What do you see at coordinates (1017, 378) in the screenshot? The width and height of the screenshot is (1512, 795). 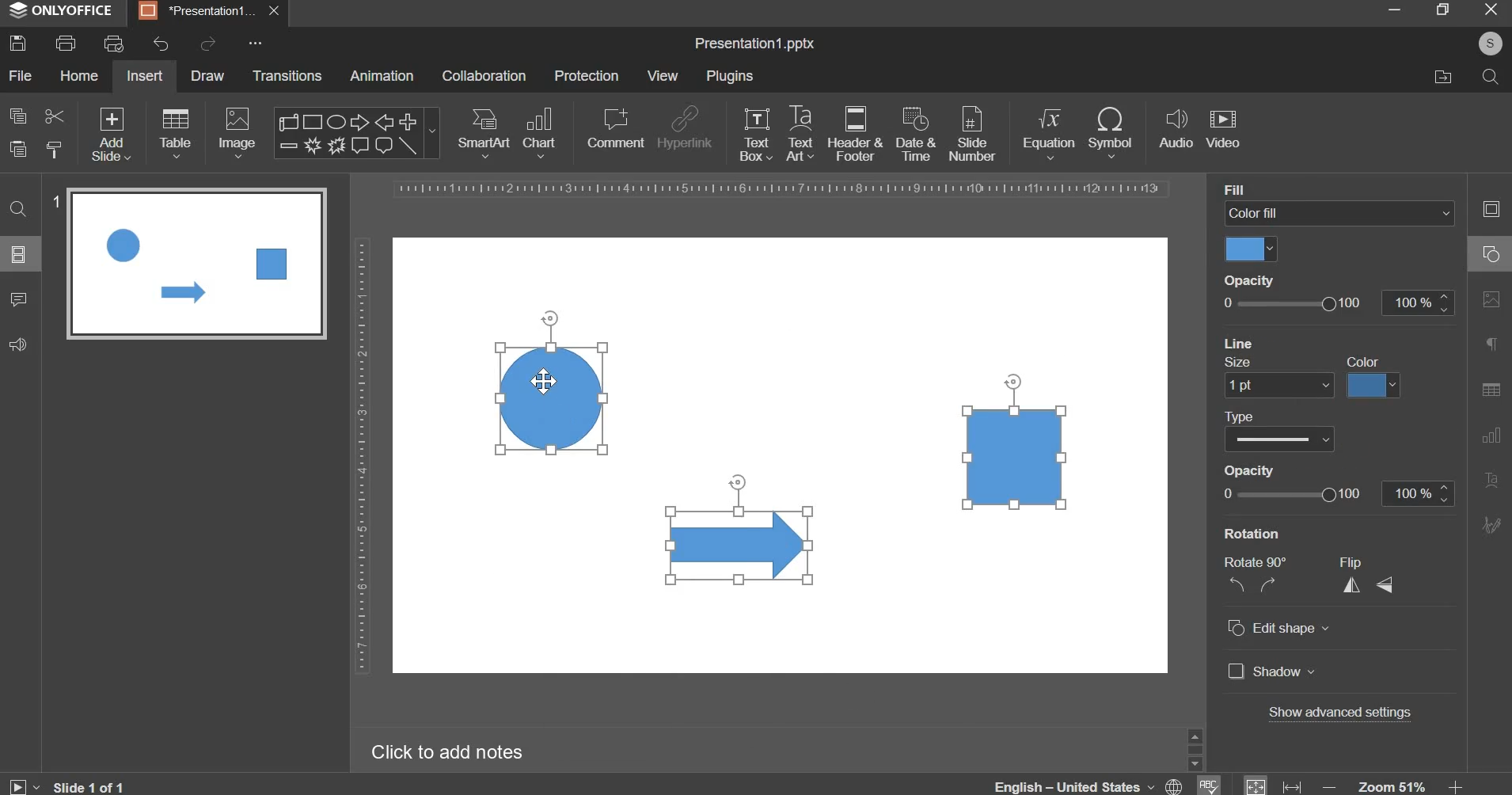 I see `rotate` at bounding box center [1017, 378].